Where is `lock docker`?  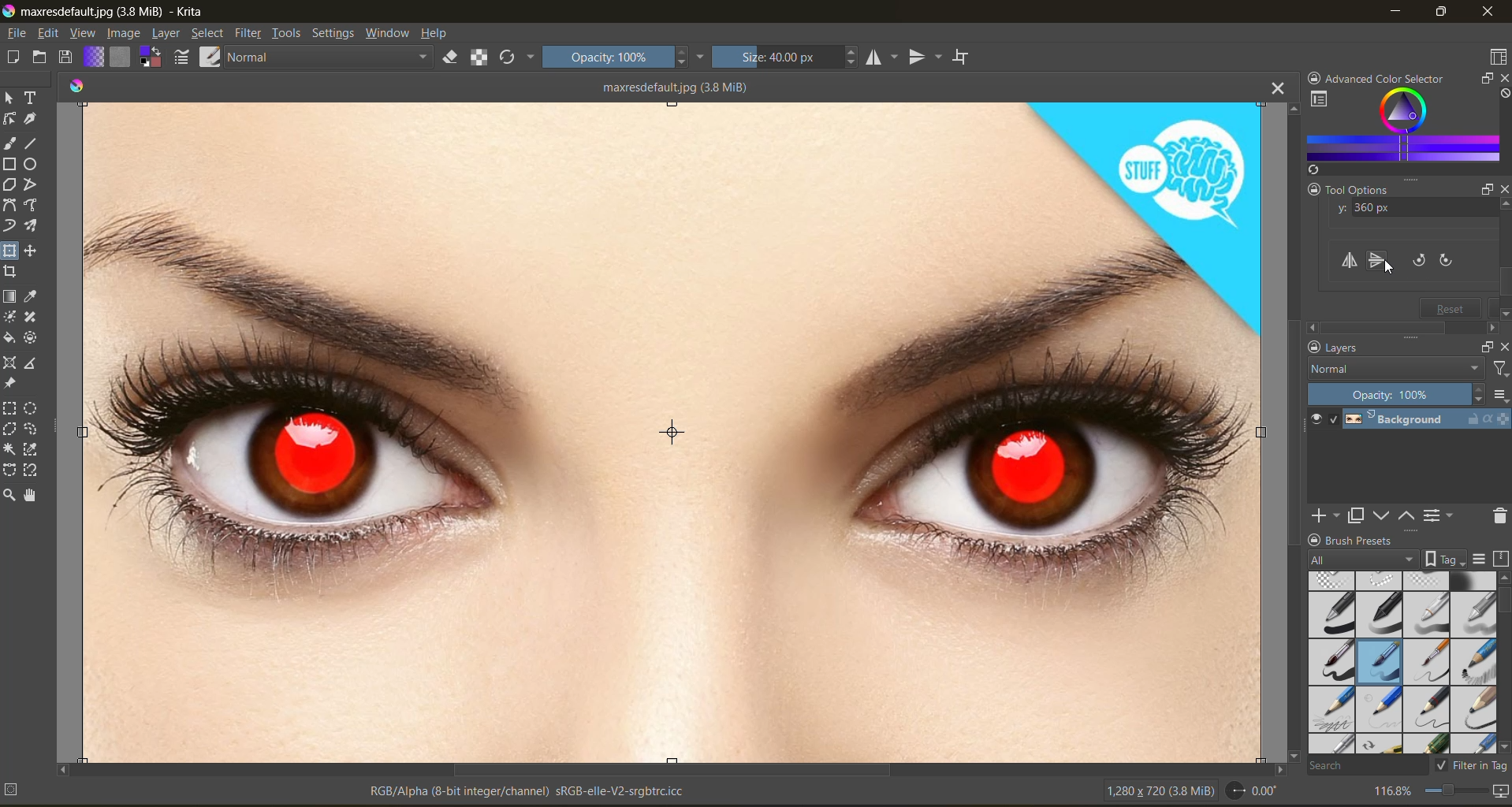
lock docker is located at coordinates (1315, 540).